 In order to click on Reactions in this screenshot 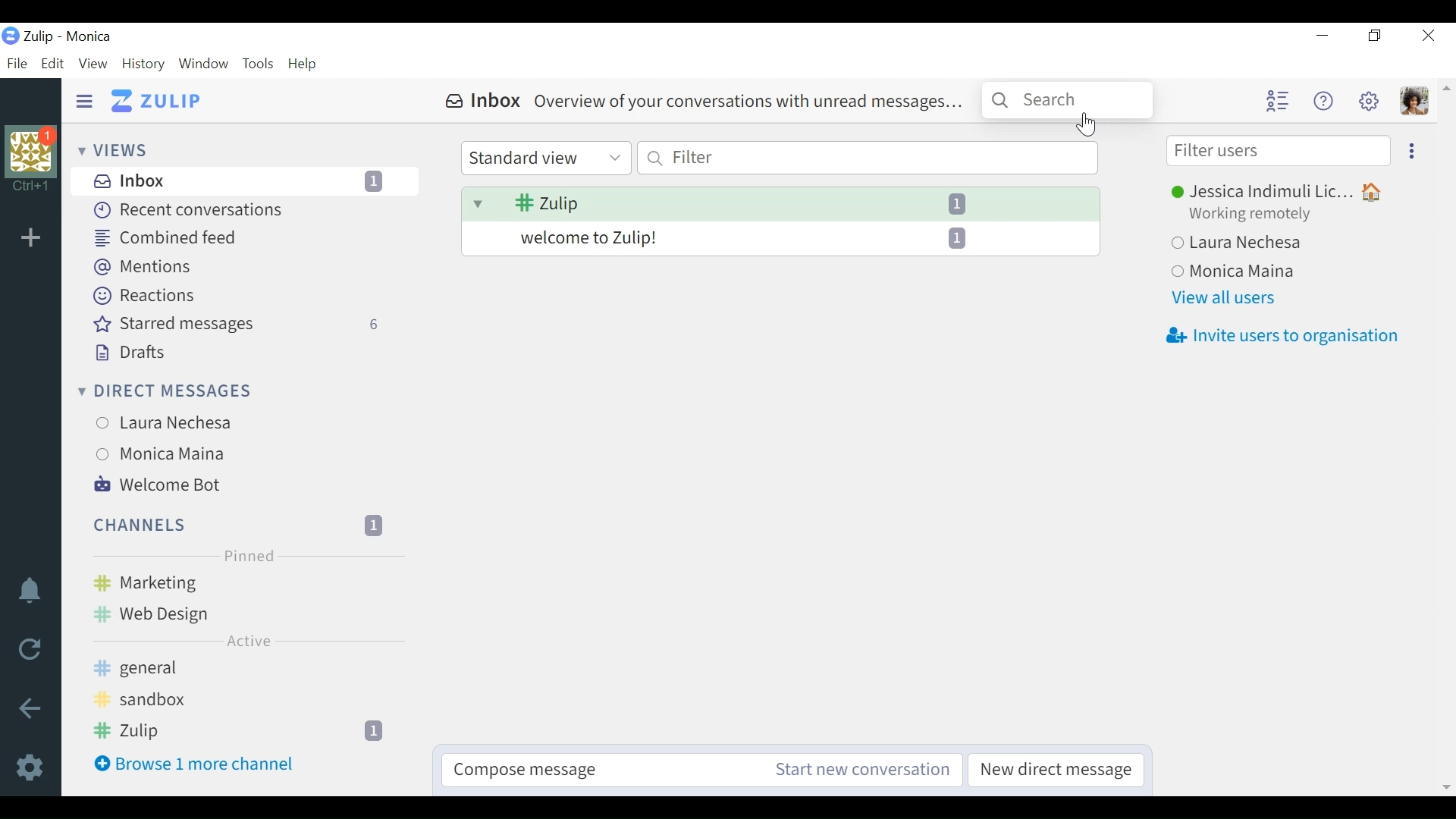, I will do `click(143, 296)`.